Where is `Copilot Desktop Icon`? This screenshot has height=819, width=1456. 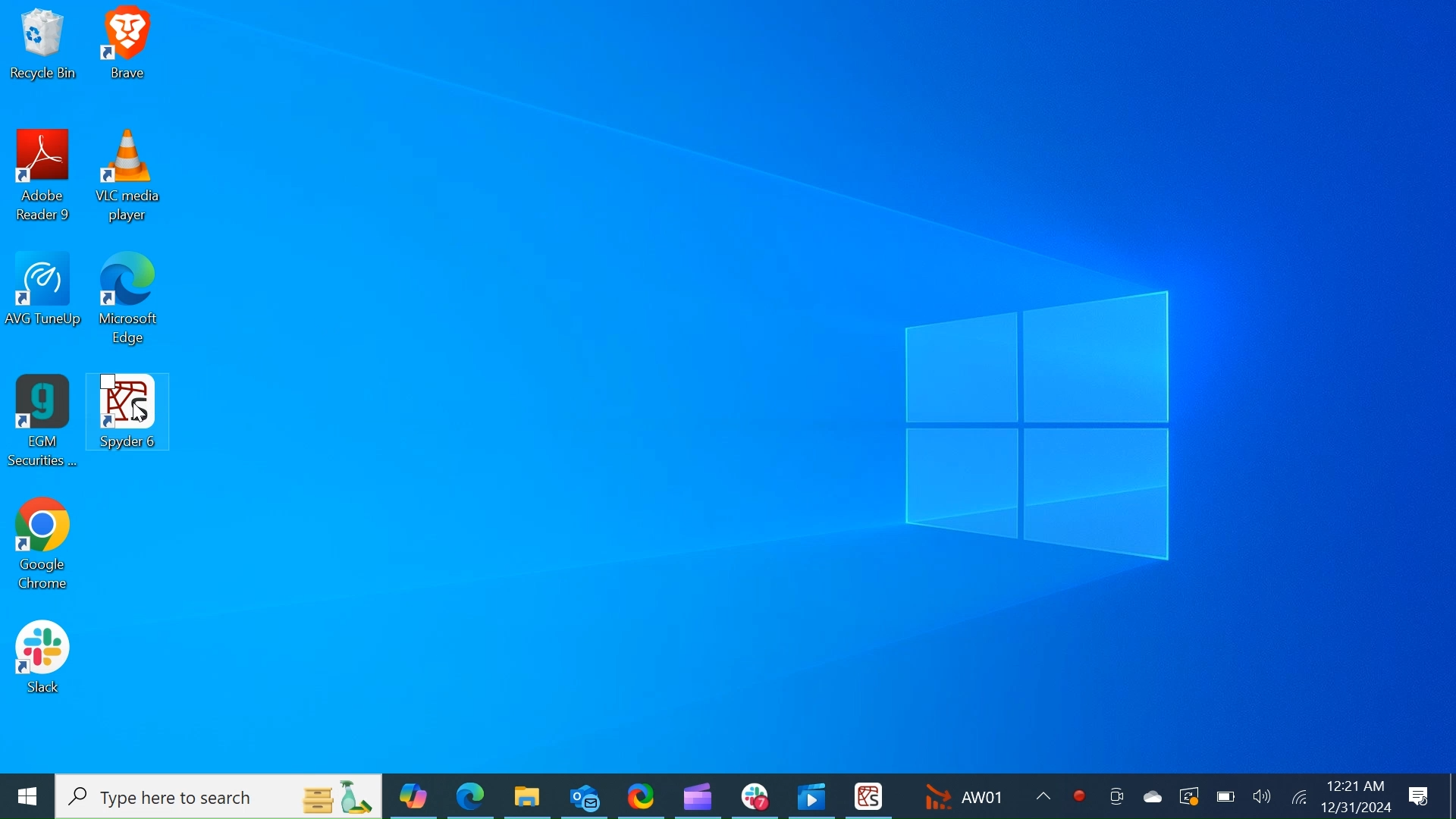
Copilot Desktop Icon is located at coordinates (418, 799).